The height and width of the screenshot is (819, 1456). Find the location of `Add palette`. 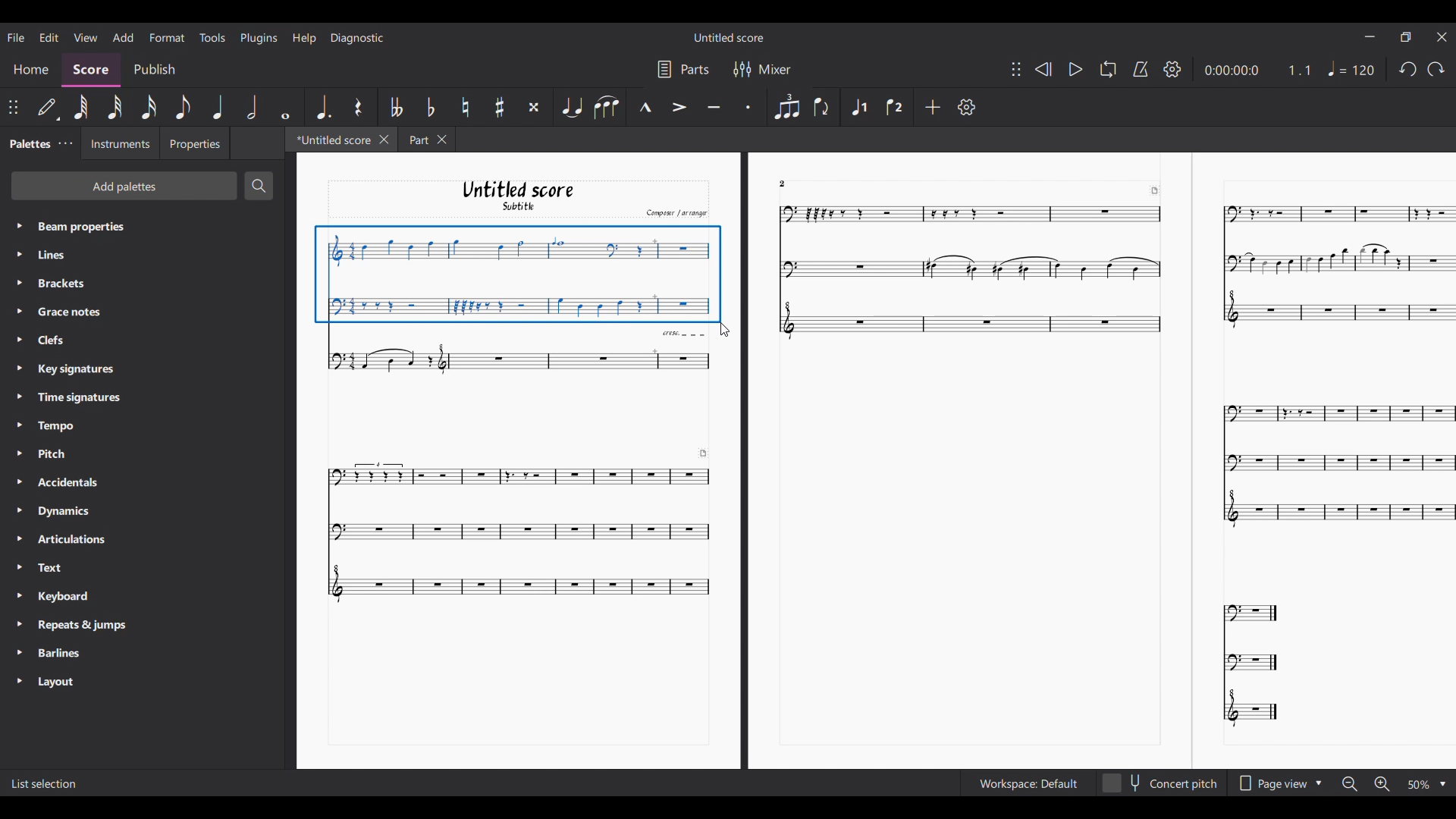

Add palette is located at coordinates (124, 185).